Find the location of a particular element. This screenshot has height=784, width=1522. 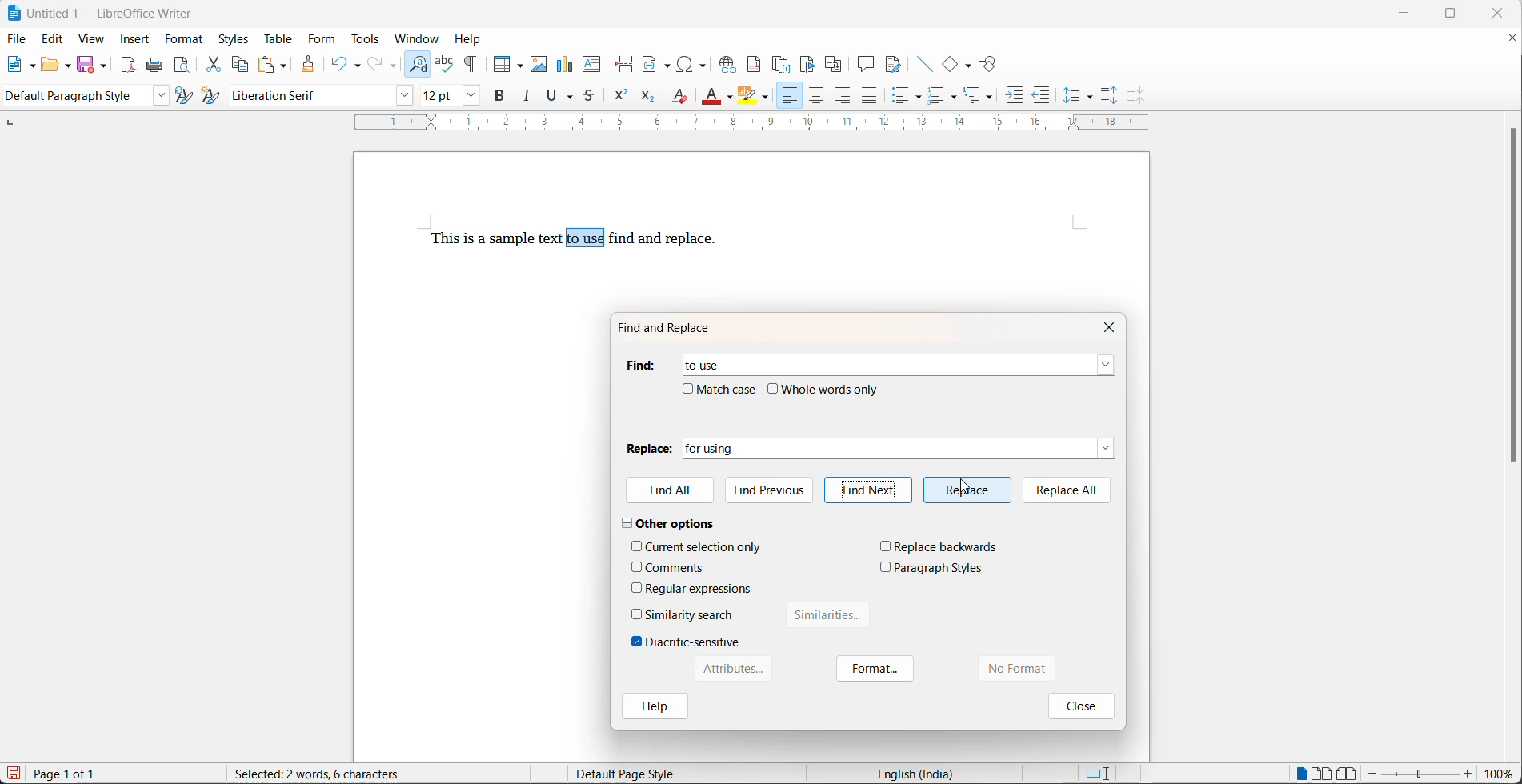

subscript is located at coordinates (647, 98).